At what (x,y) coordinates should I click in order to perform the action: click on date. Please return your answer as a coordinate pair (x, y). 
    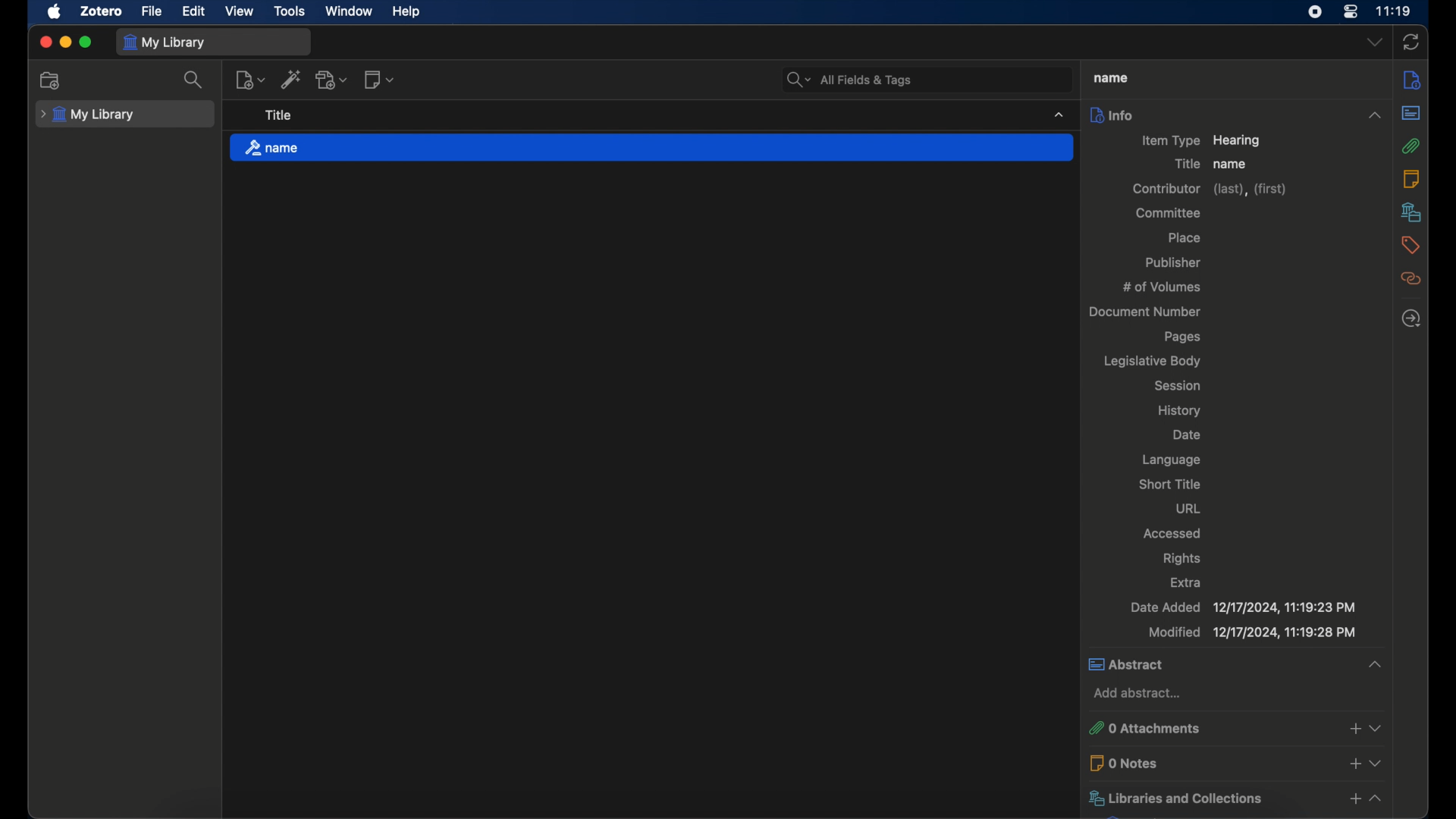
    Looking at the image, I should click on (1188, 436).